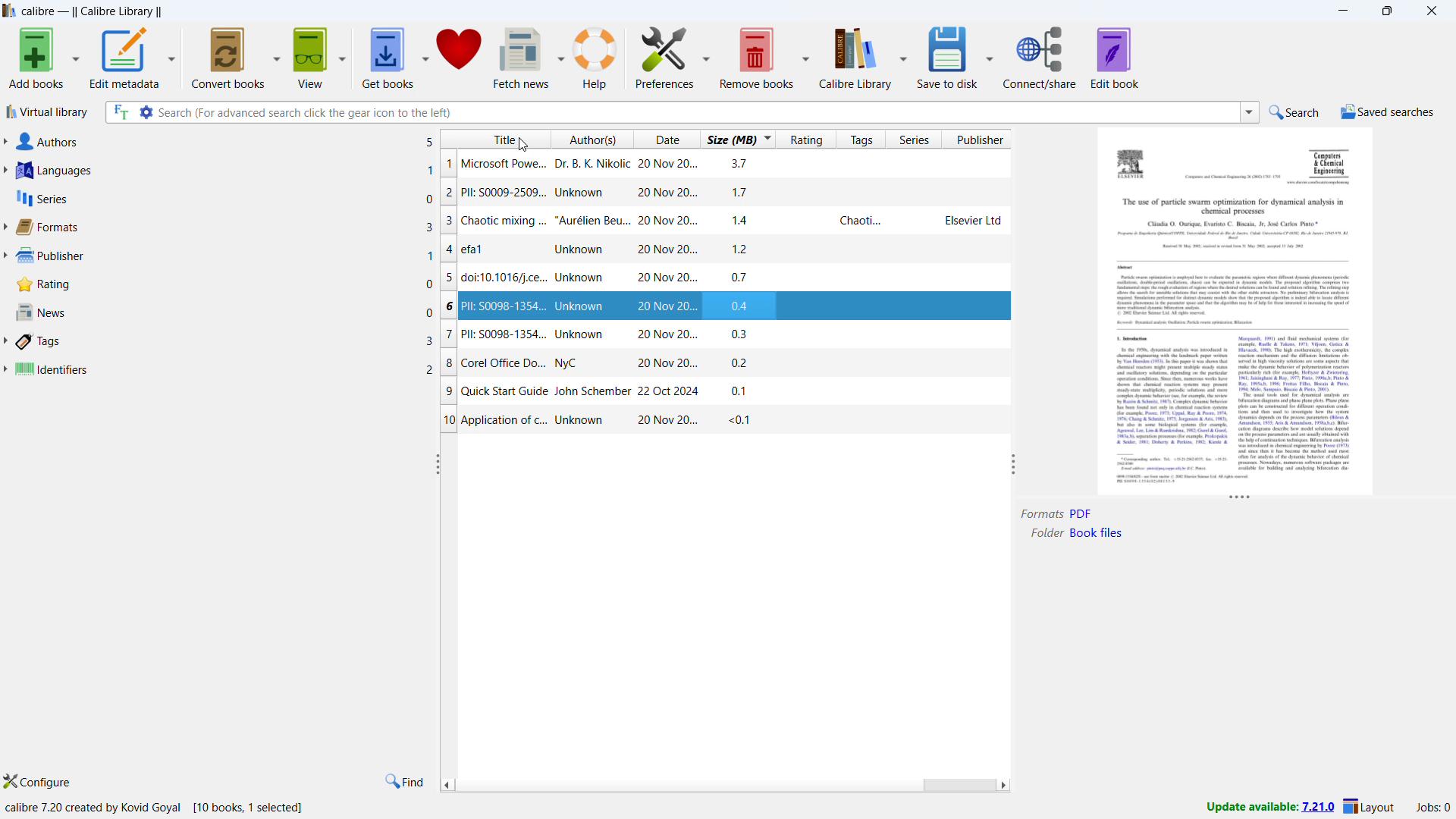 The width and height of the screenshot is (1456, 819). Describe the element at coordinates (1232, 206) in the screenshot. I see `` at that location.